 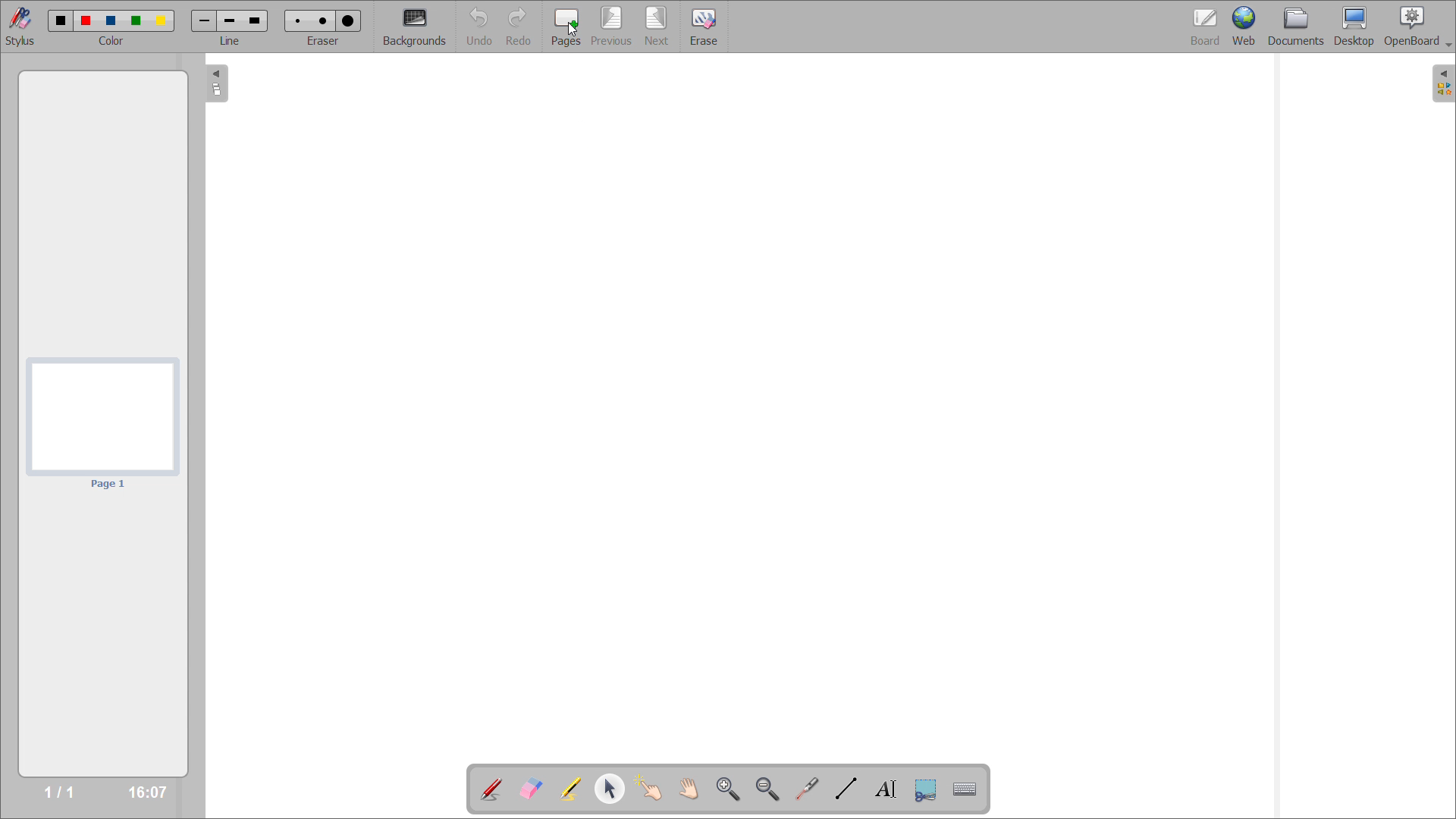 What do you see at coordinates (147, 792) in the screenshot?
I see `16:07(current time)` at bounding box center [147, 792].